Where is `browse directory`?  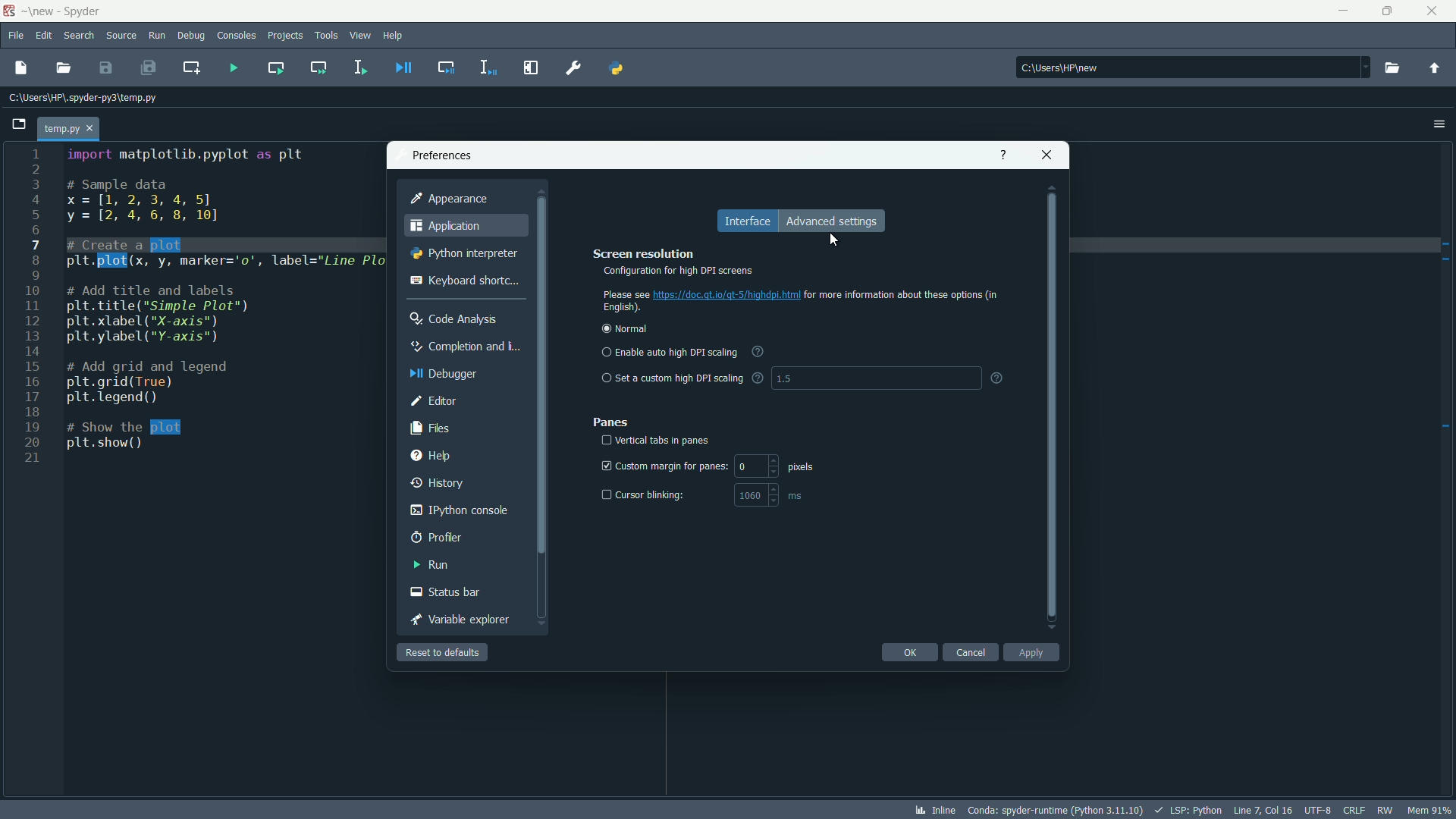
browse directory is located at coordinates (1391, 68).